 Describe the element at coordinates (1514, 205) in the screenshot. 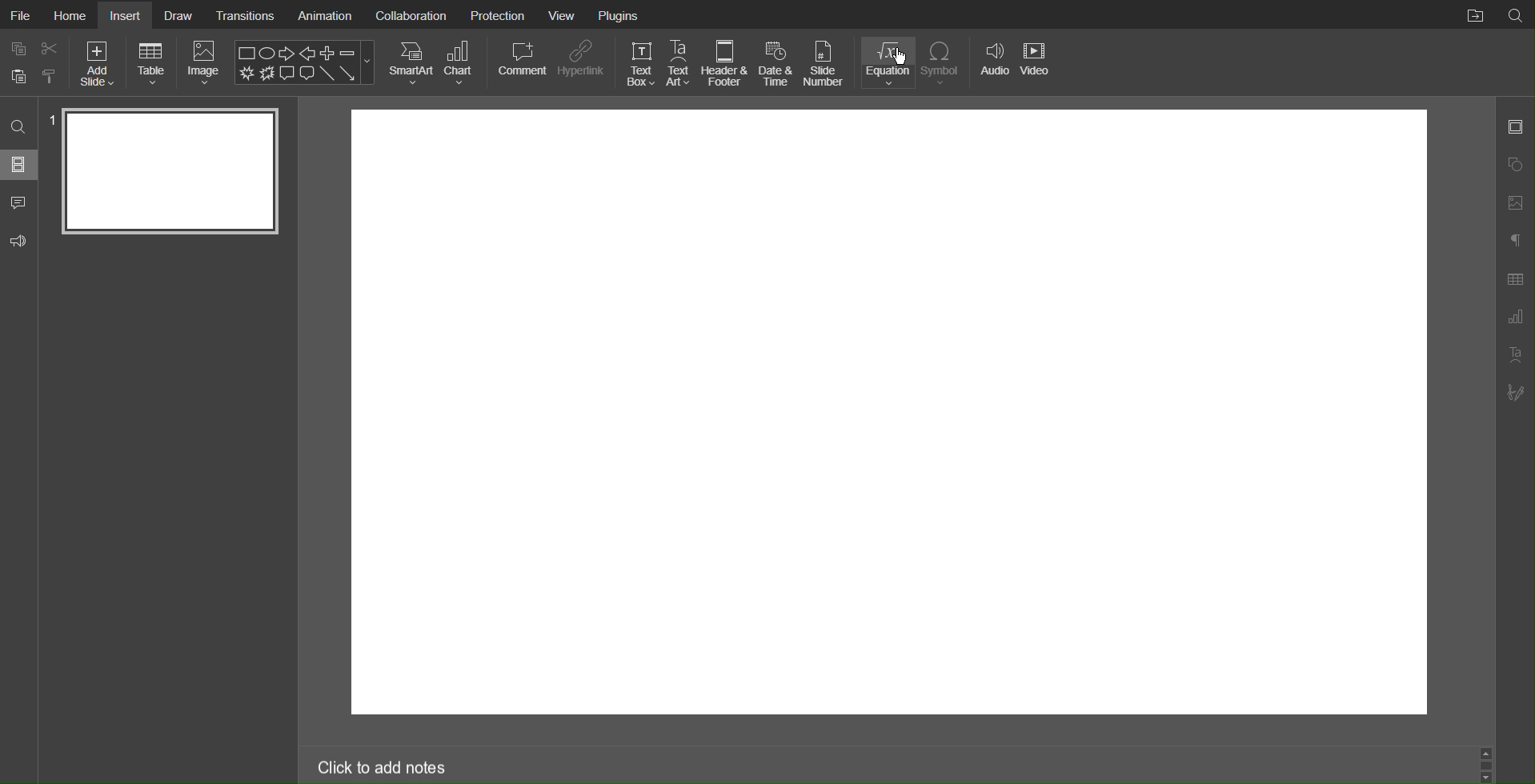

I see `Images Settings` at that location.